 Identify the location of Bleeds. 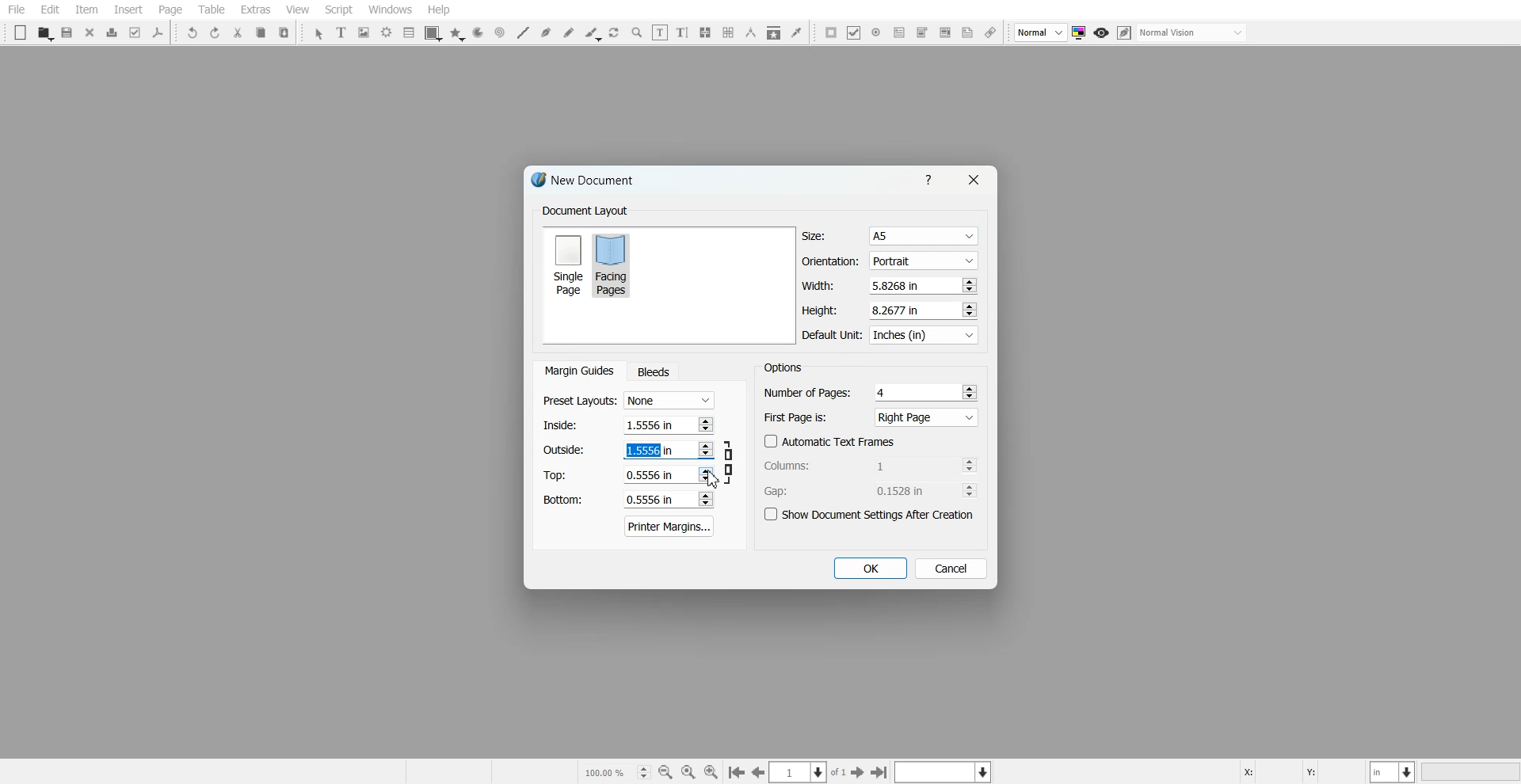
(653, 371).